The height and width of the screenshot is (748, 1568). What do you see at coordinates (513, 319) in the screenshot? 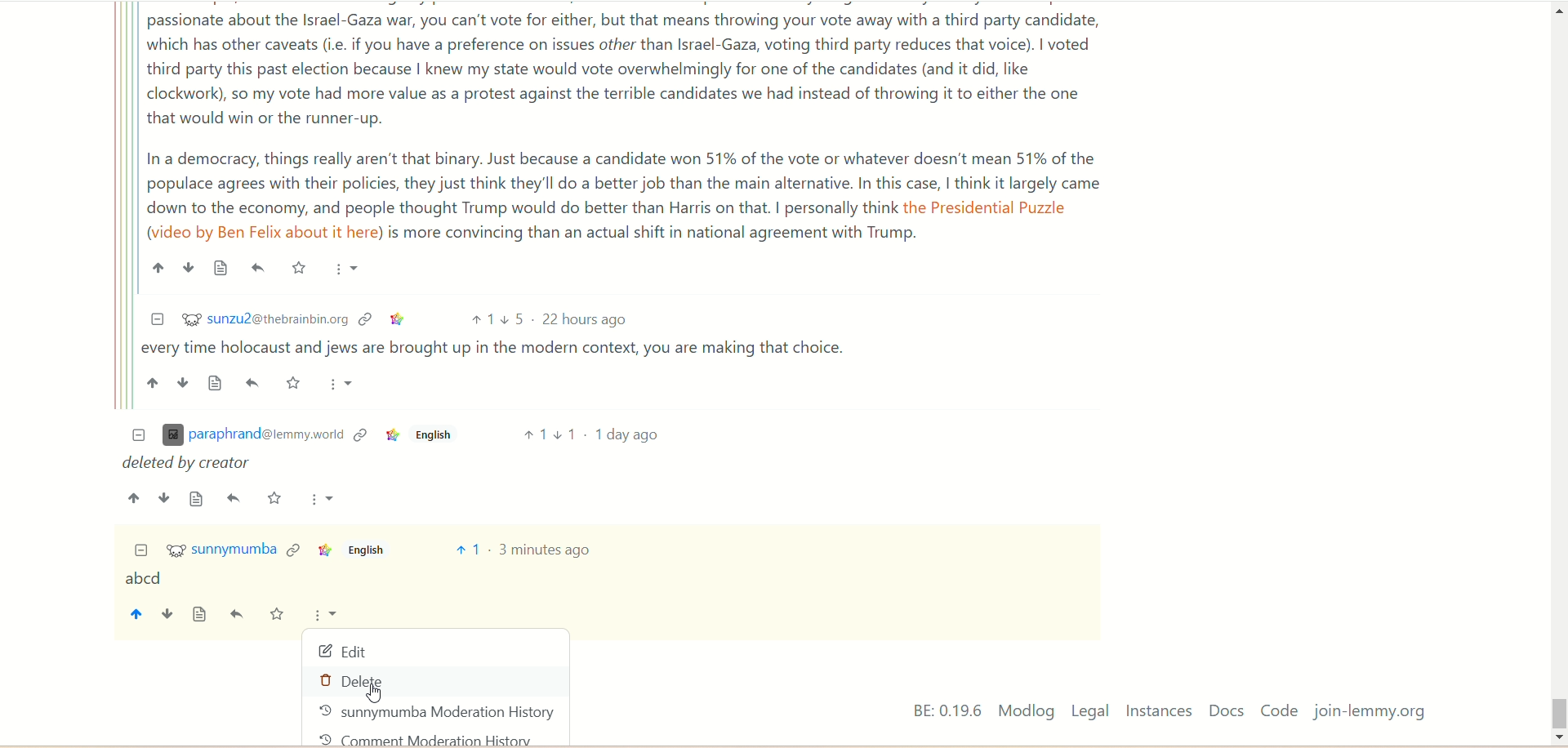
I see `Downvote 5` at bounding box center [513, 319].